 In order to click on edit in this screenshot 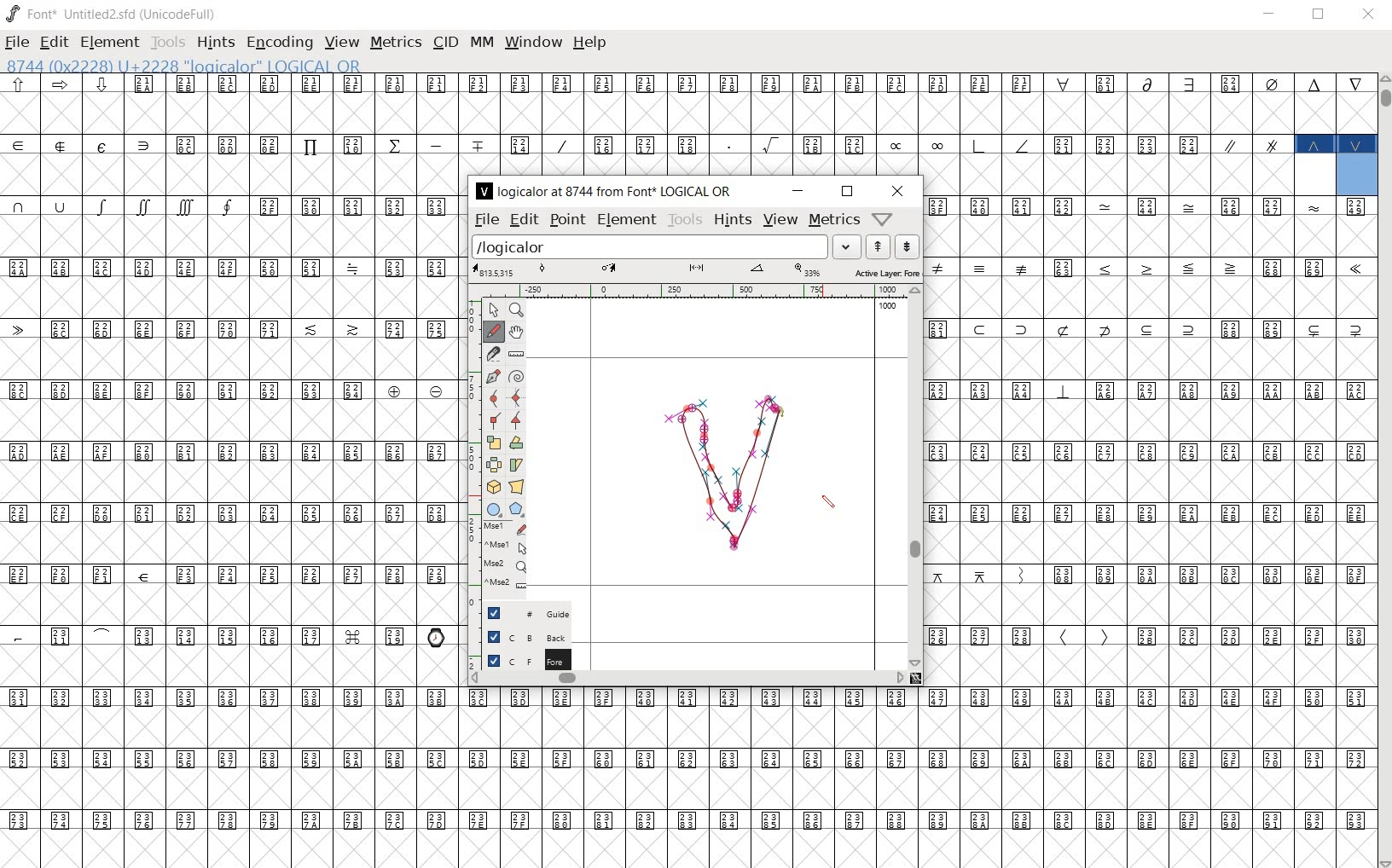, I will do `click(55, 42)`.